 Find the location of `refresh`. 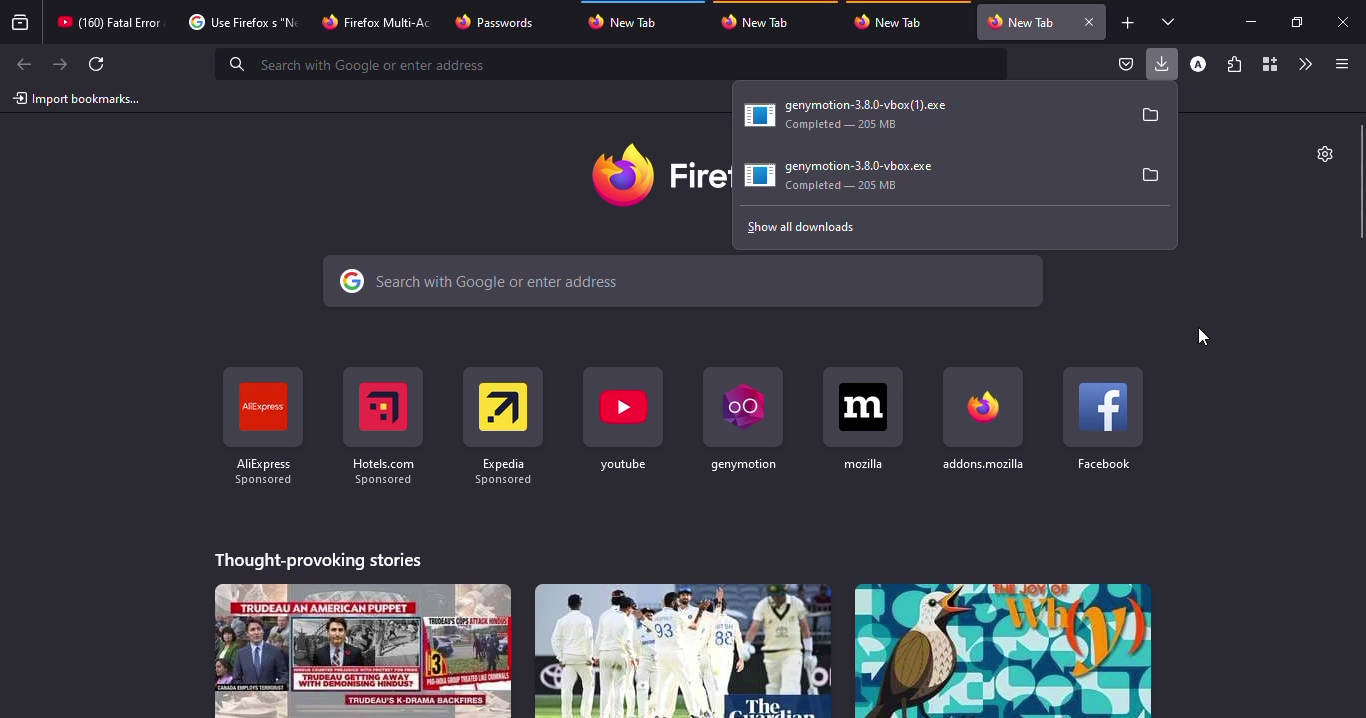

refresh is located at coordinates (98, 64).